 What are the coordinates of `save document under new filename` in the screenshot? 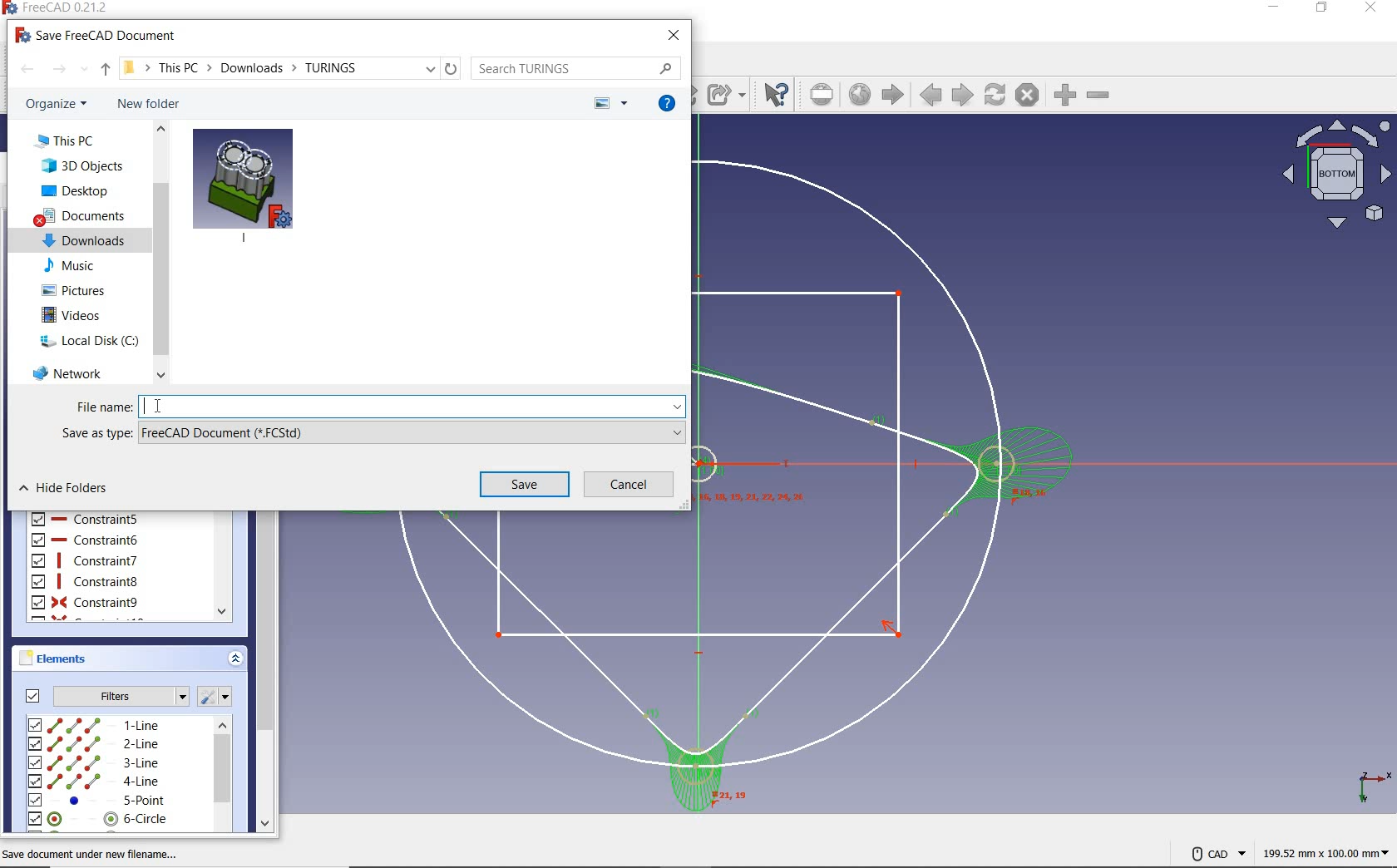 It's located at (93, 853).